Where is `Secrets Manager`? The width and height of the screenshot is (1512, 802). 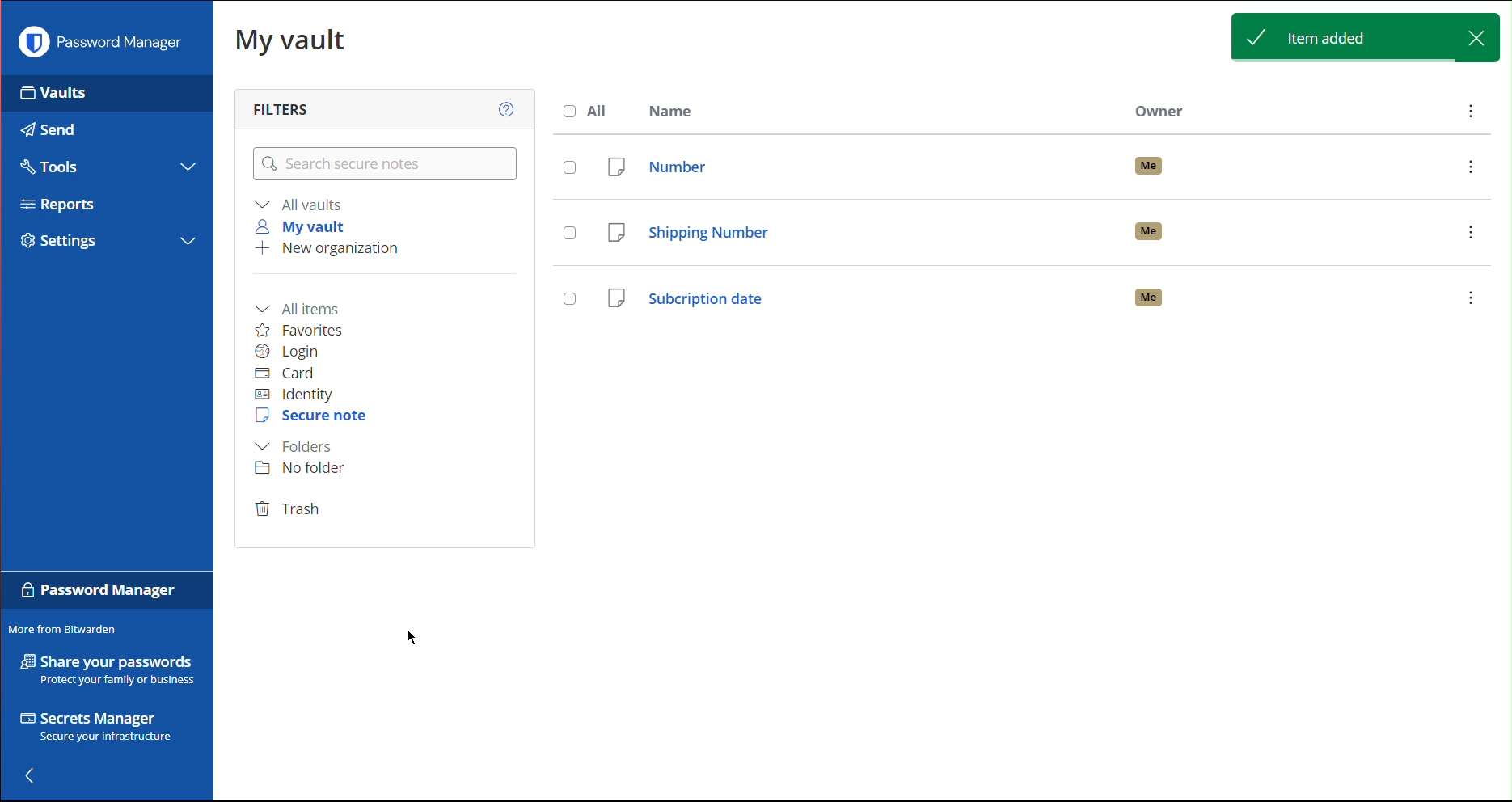 Secrets Manager is located at coordinates (94, 726).